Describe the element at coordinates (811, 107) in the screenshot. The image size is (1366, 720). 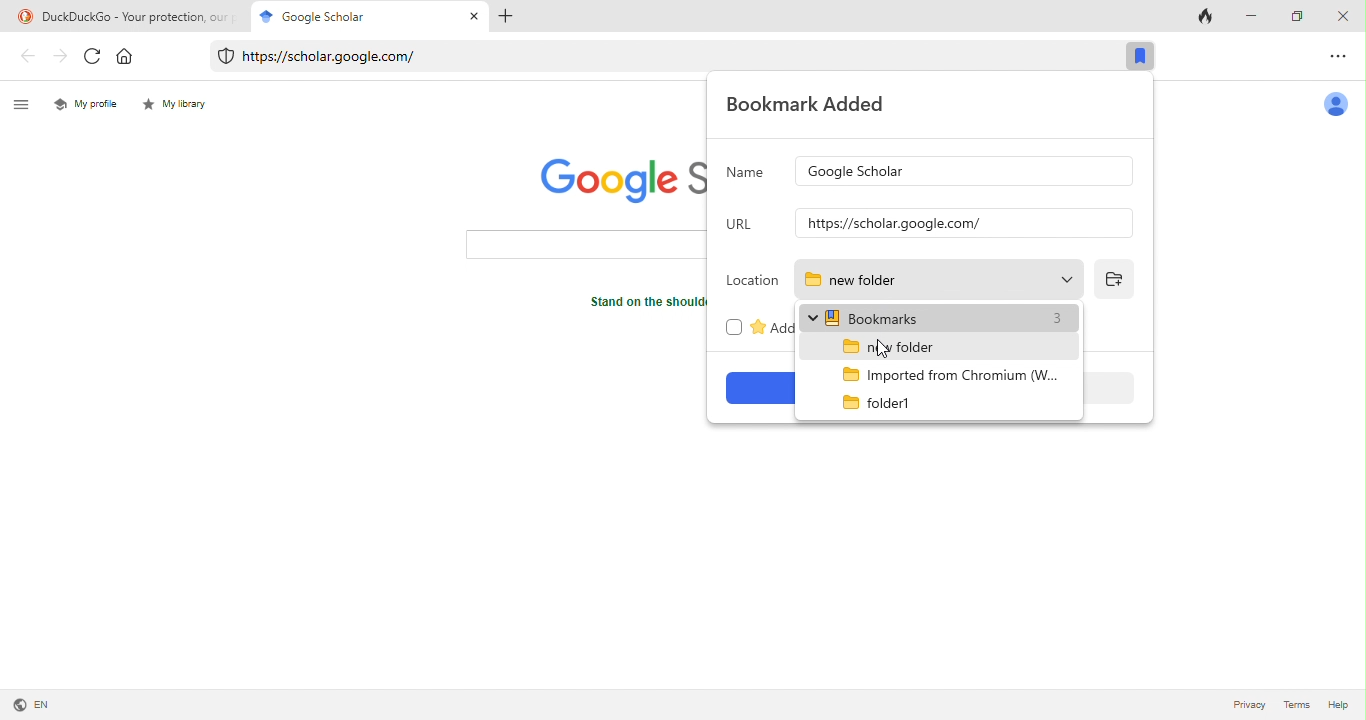
I see `bookmark added` at that location.